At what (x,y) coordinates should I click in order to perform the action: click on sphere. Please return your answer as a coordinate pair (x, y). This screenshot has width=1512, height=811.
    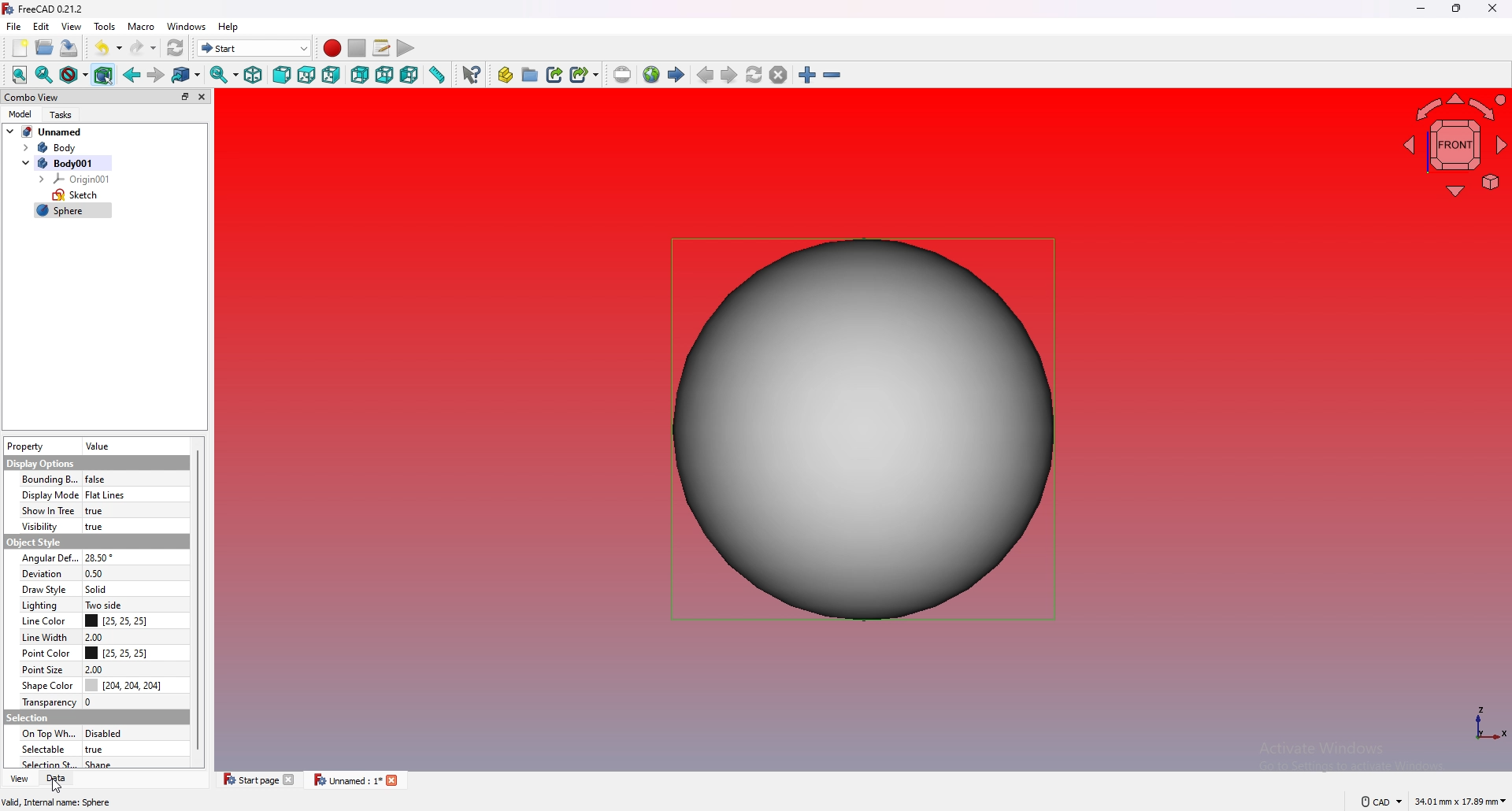
    Looking at the image, I should click on (73, 212).